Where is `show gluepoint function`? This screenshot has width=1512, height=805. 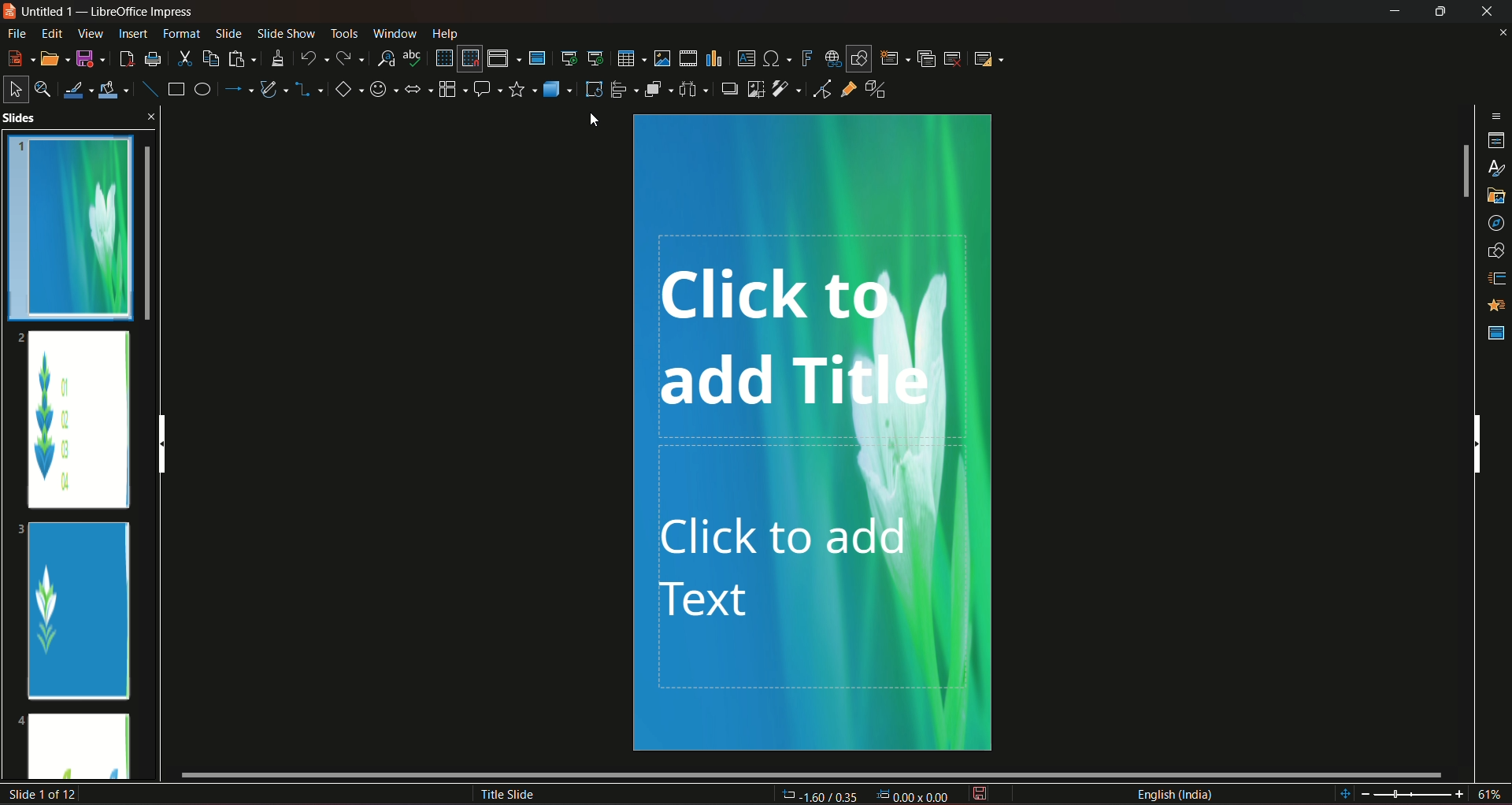 show gluepoint function is located at coordinates (848, 91).